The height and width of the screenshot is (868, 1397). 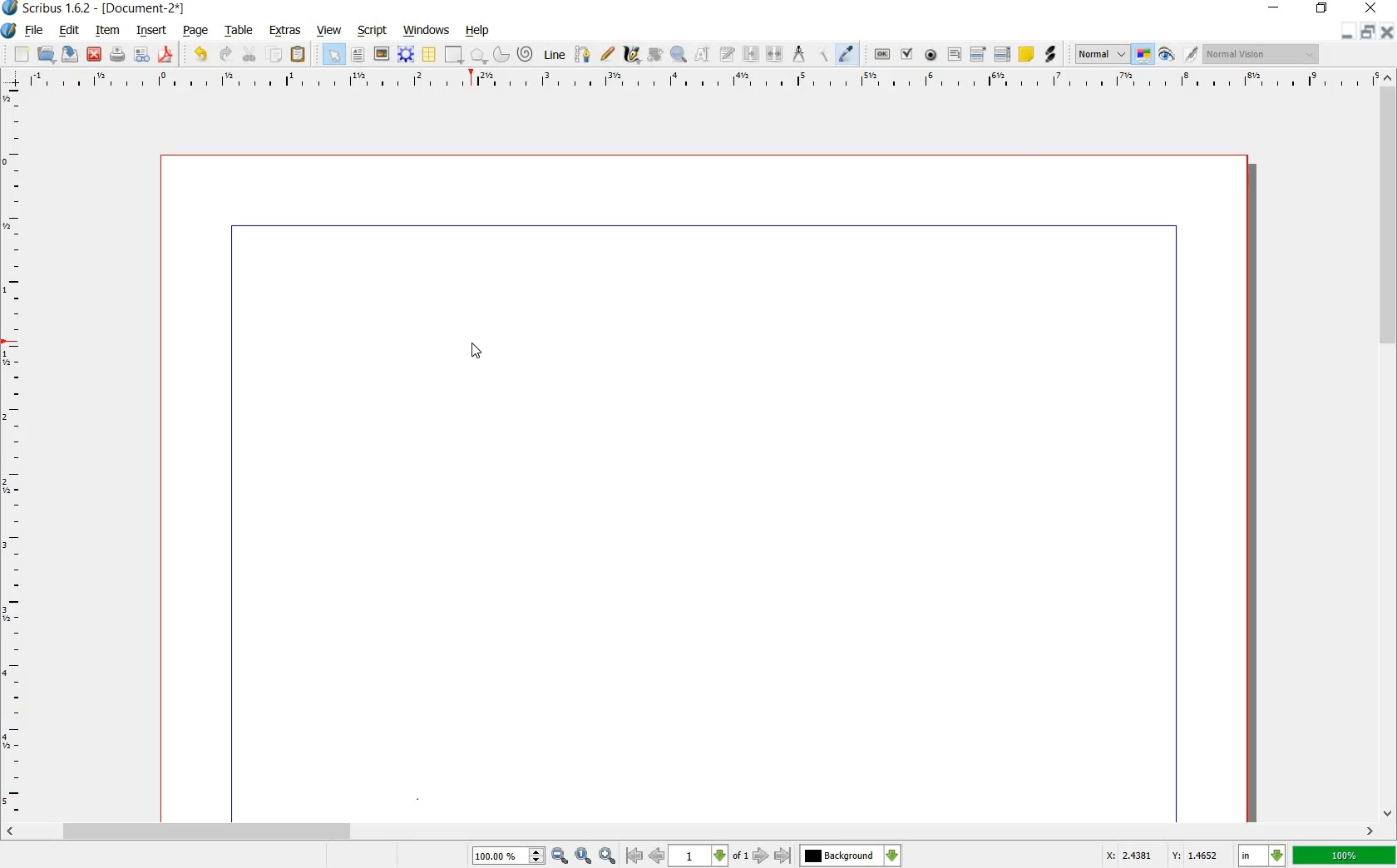 What do you see at coordinates (453, 54) in the screenshot?
I see `SHAPE` at bounding box center [453, 54].